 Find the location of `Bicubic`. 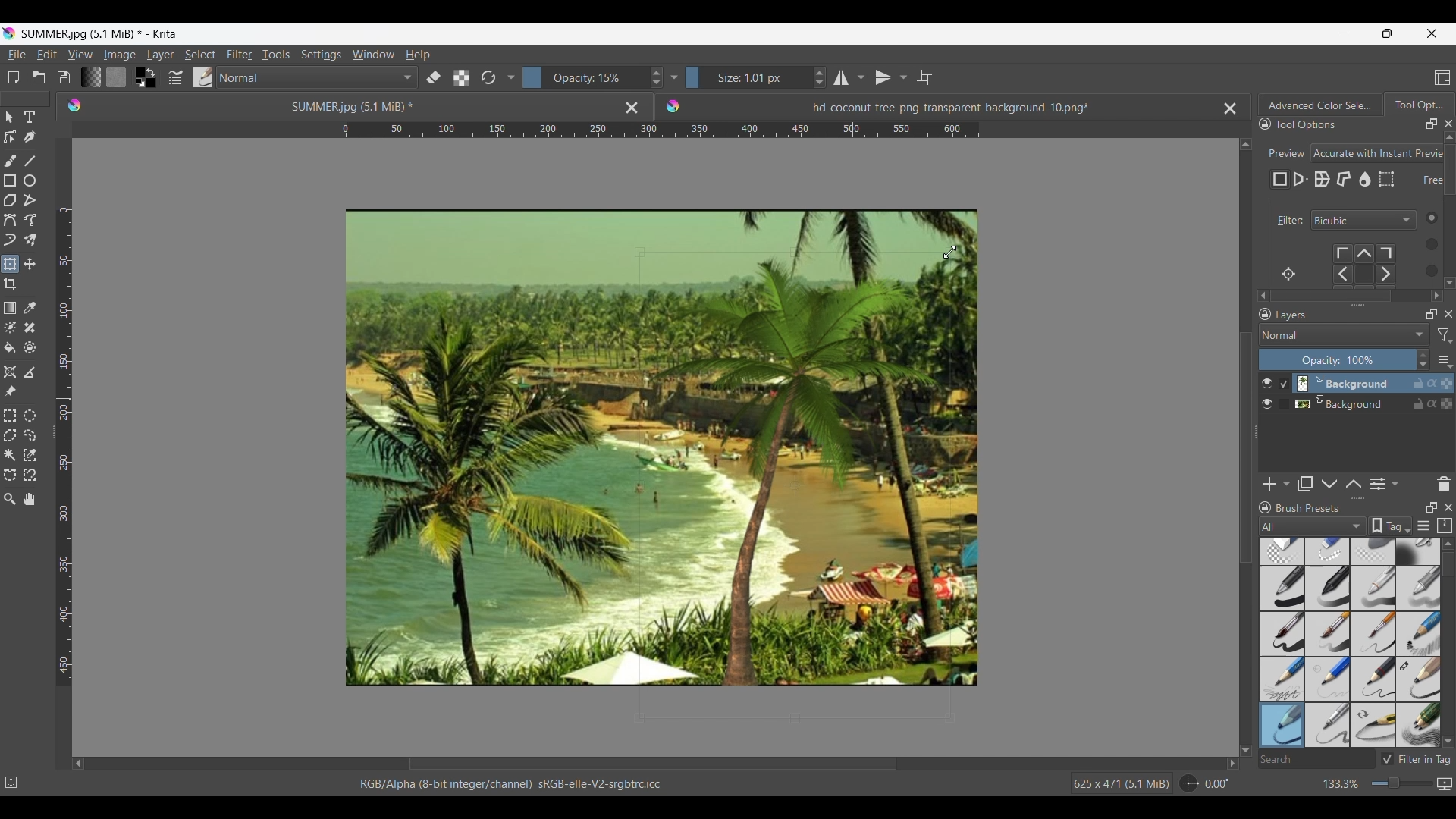

Bicubic is located at coordinates (1363, 221).